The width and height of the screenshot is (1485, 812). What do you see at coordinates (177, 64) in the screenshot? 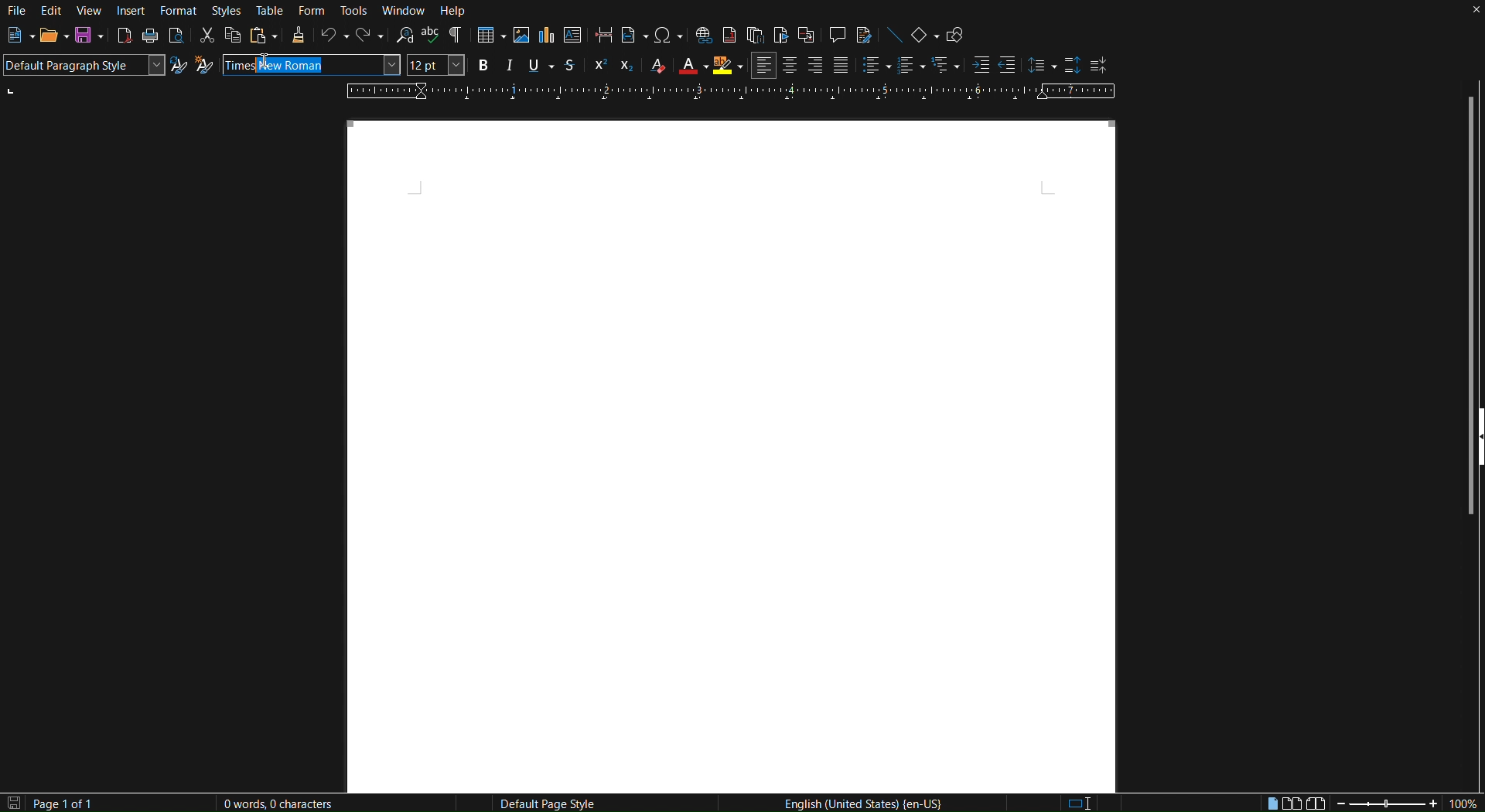
I see `Update Selected Style` at bounding box center [177, 64].